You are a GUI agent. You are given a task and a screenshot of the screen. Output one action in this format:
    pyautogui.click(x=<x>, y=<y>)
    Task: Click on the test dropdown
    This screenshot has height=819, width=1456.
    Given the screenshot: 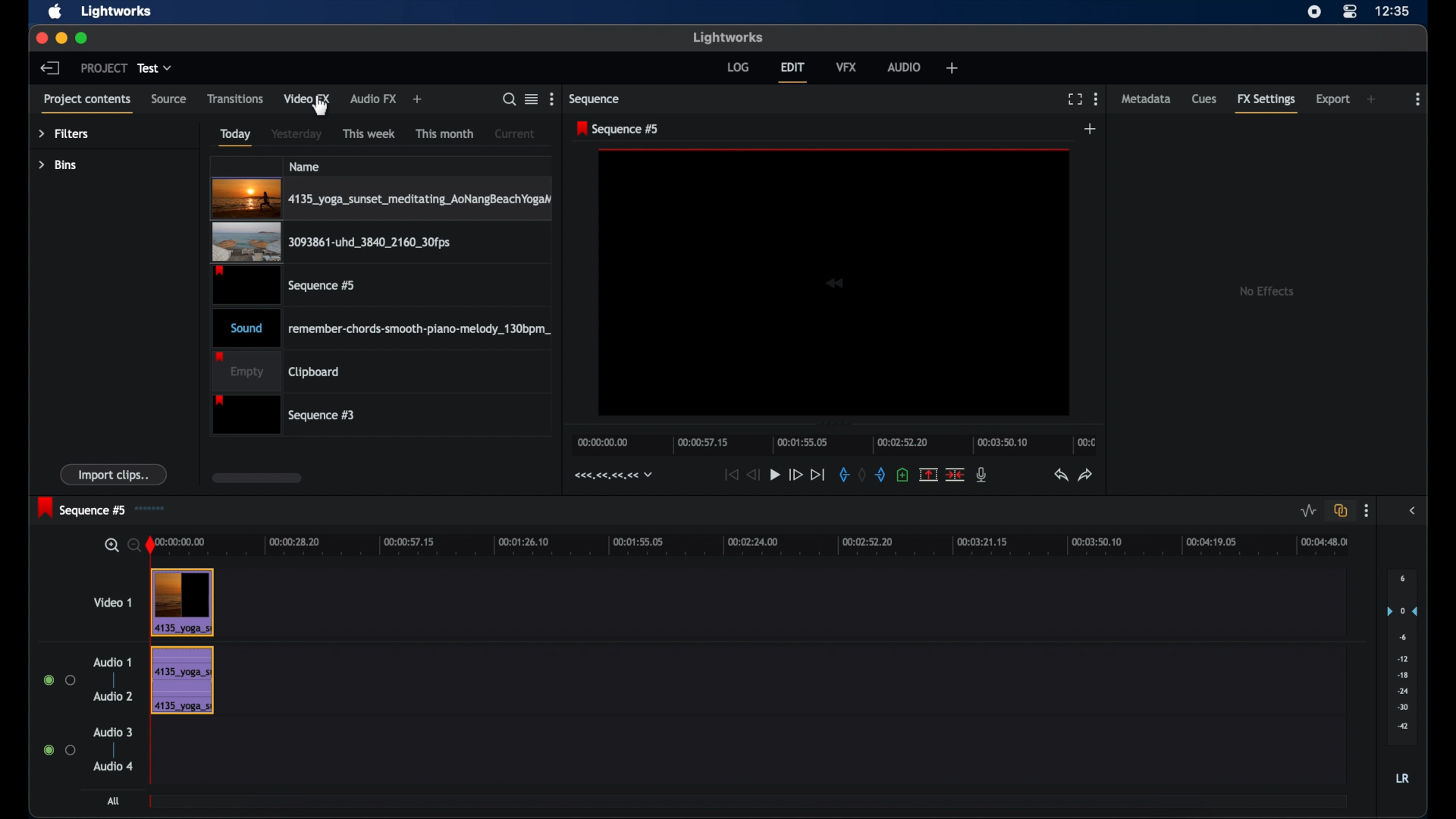 What is the action you would take?
    pyautogui.click(x=155, y=68)
    